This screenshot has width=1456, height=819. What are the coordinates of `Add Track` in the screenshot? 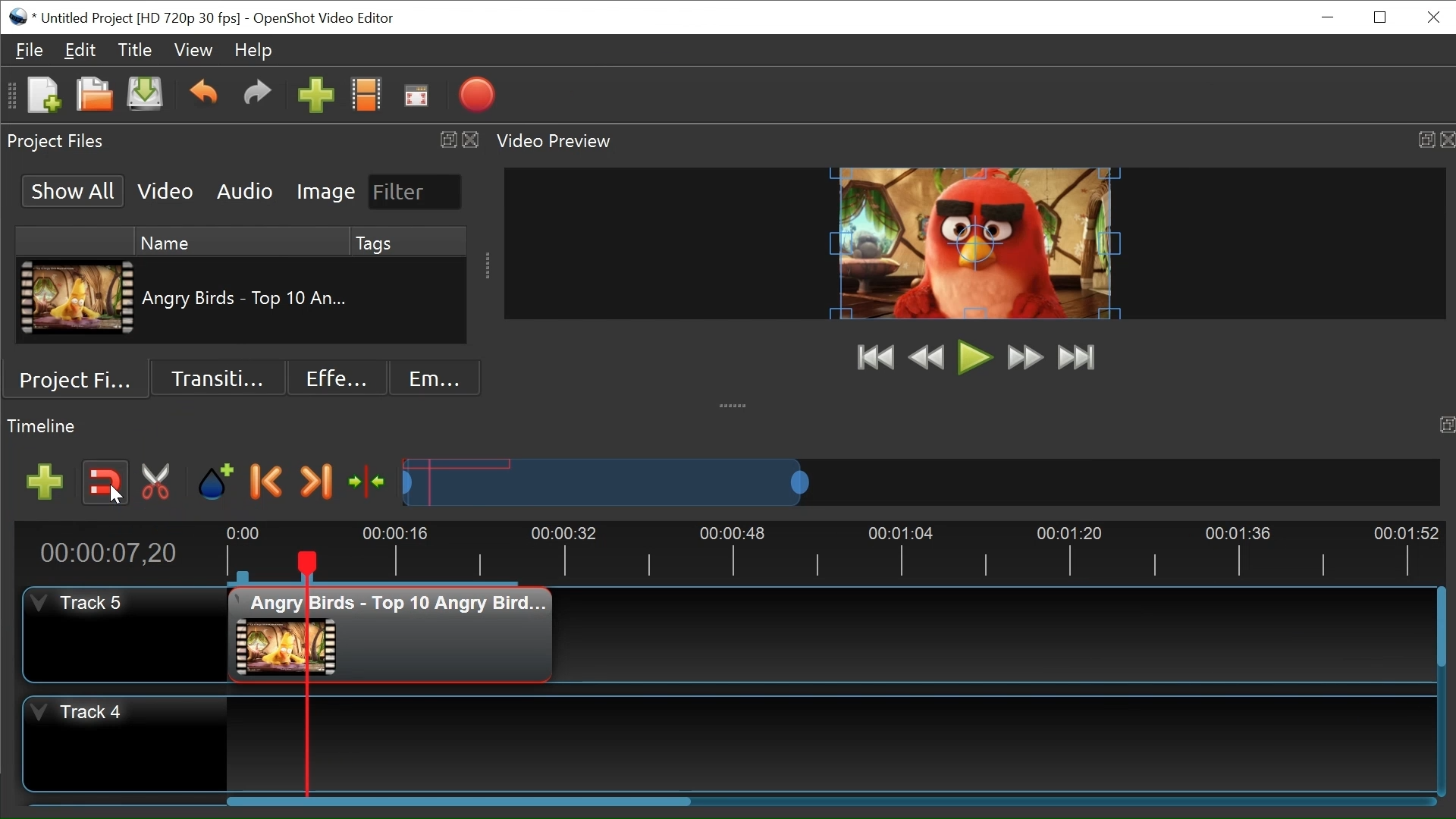 It's located at (45, 484).